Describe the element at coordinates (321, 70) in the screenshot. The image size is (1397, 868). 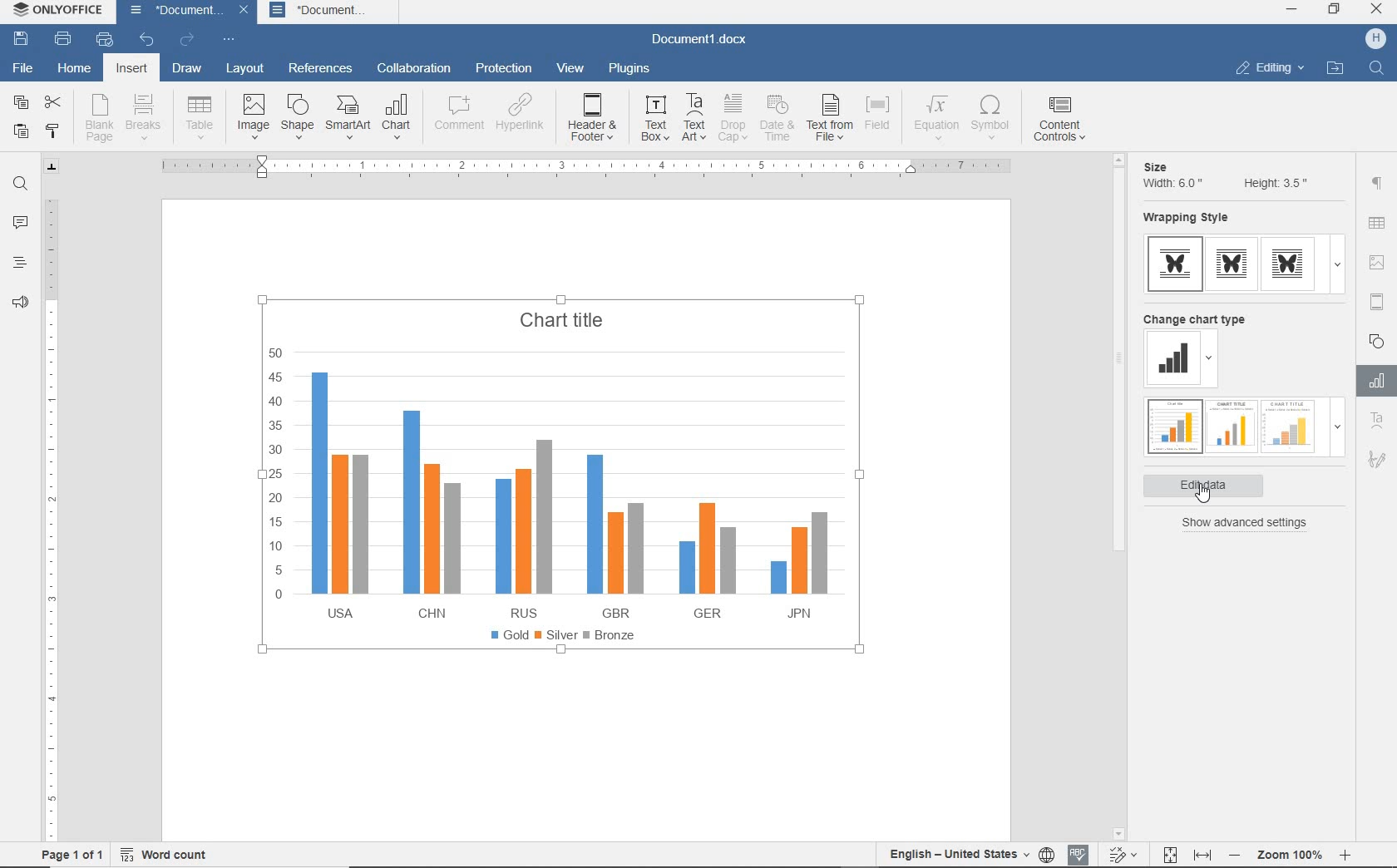
I see `references` at that location.